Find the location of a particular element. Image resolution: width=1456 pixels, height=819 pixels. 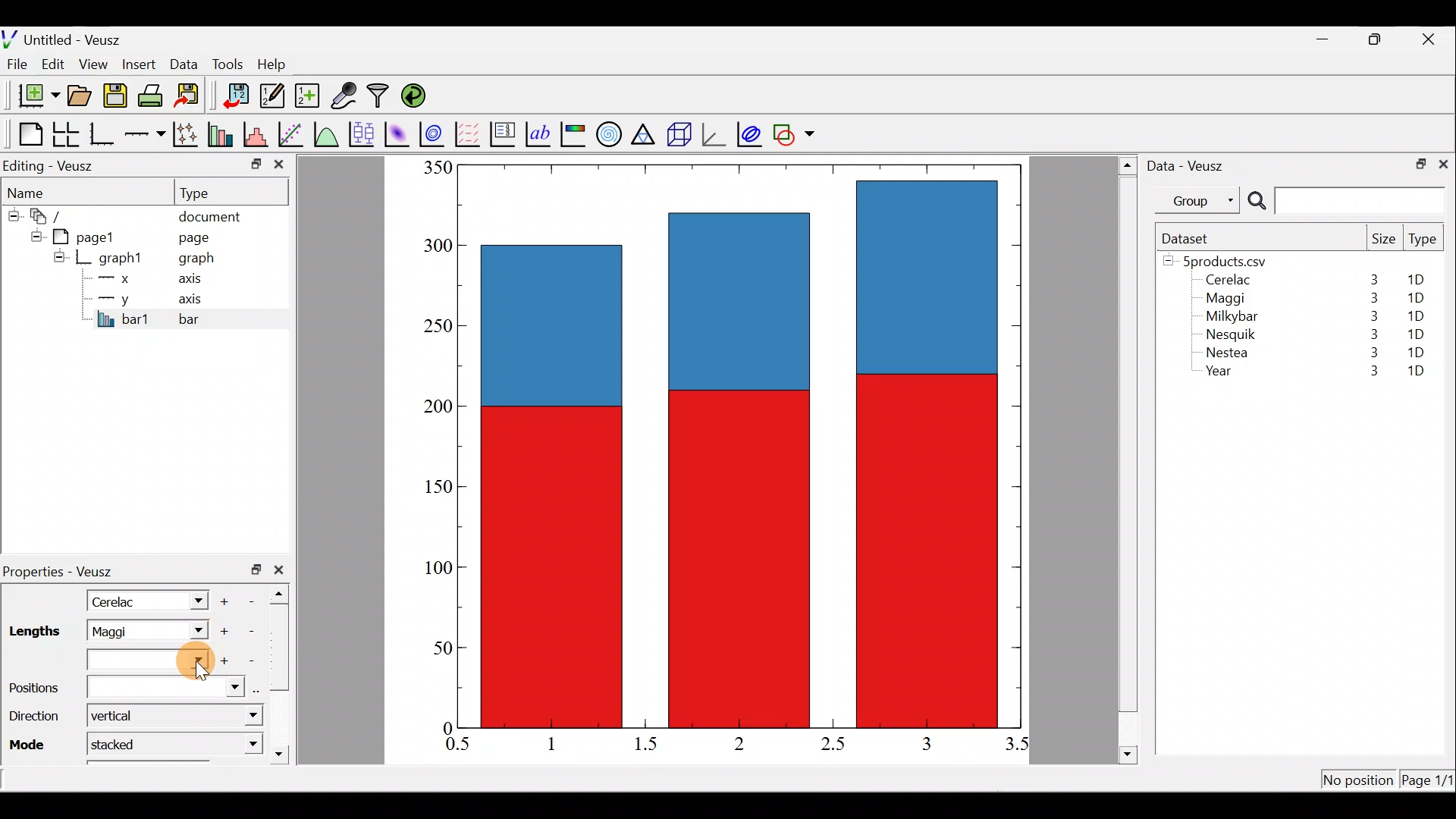

Direction is located at coordinates (33, 719).